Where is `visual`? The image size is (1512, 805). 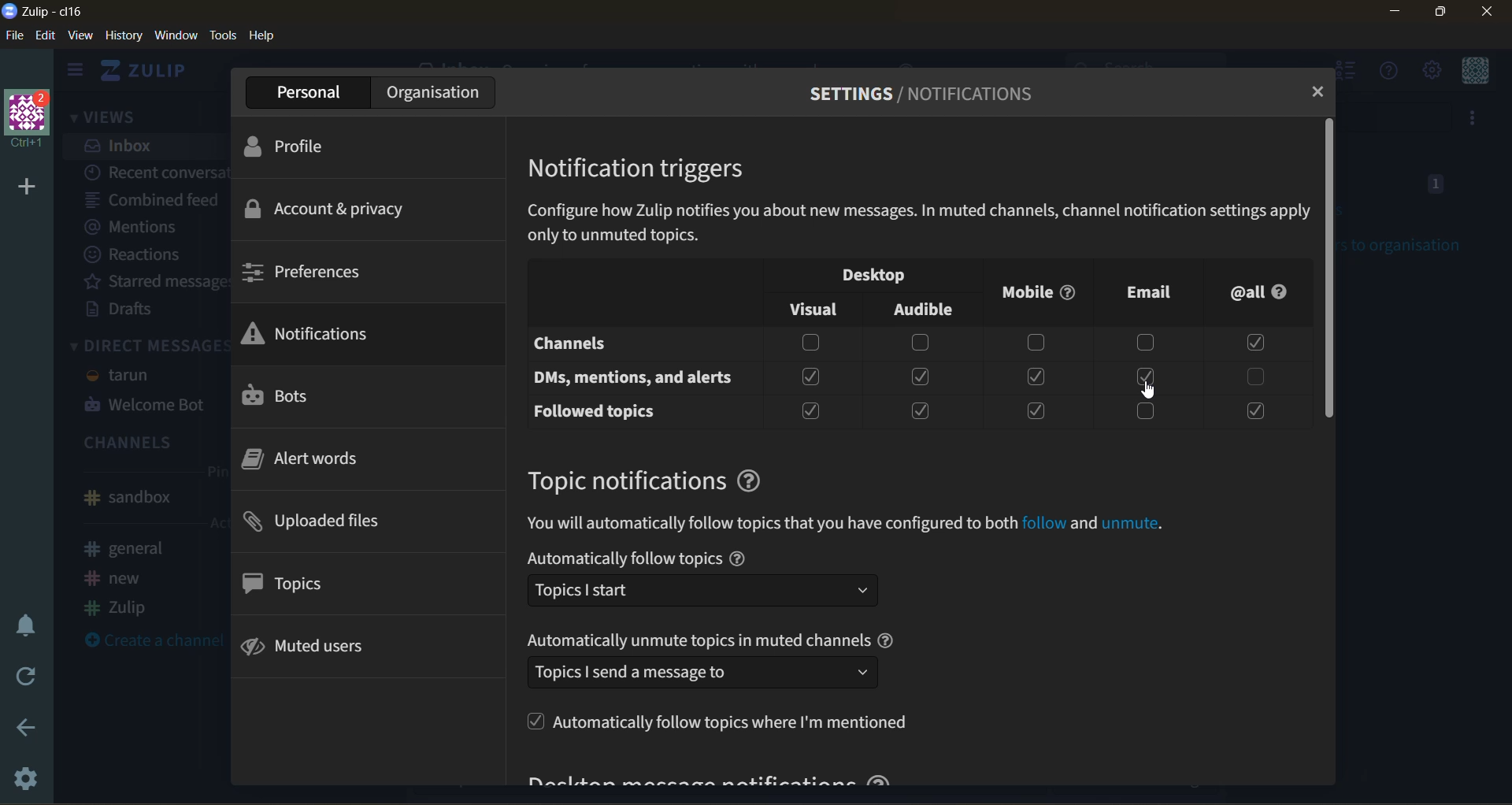 visual is located at coordinates (817, 310).